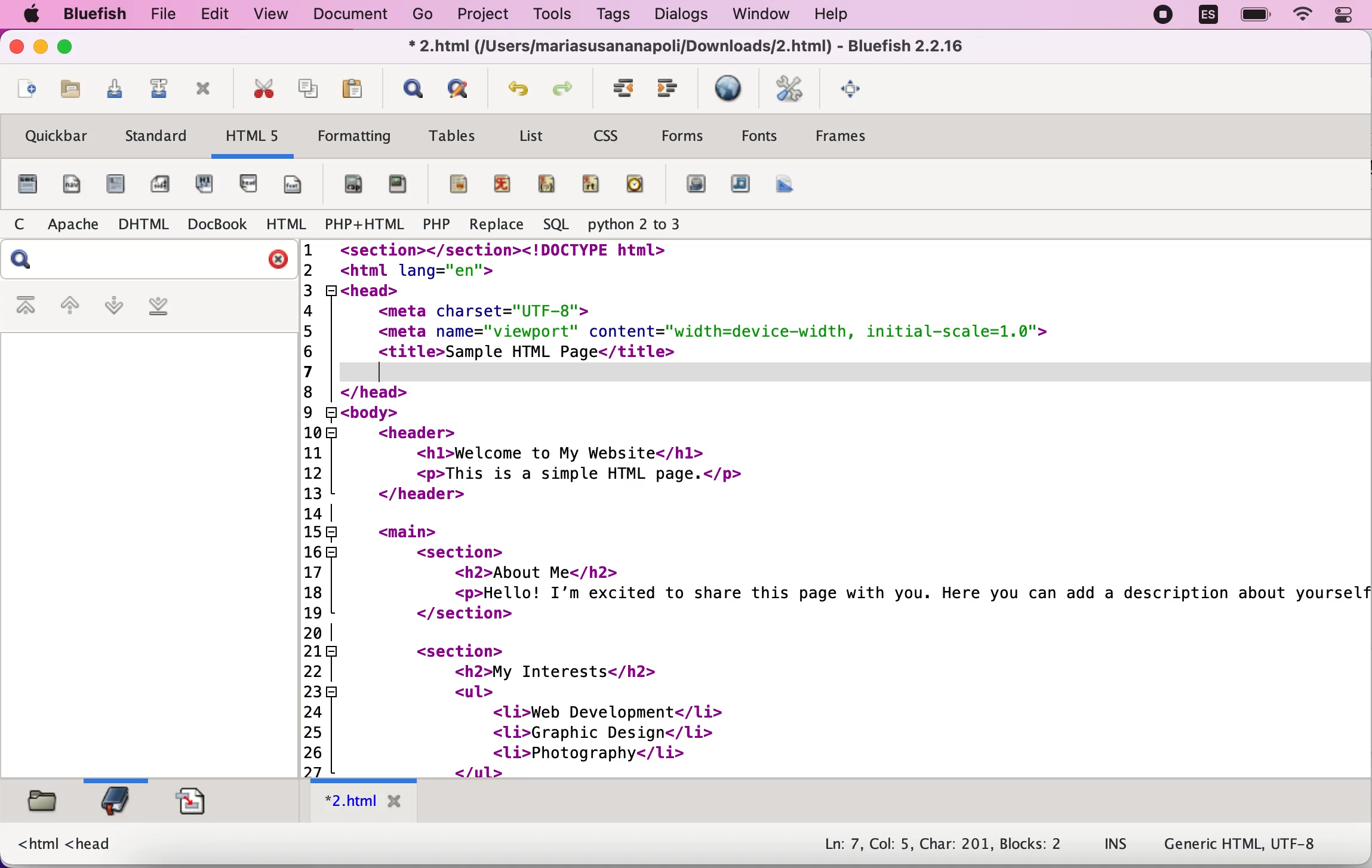  Describe the element at coordinates (1161, 18) in the screenshot. I see `recording stopped` at that location.